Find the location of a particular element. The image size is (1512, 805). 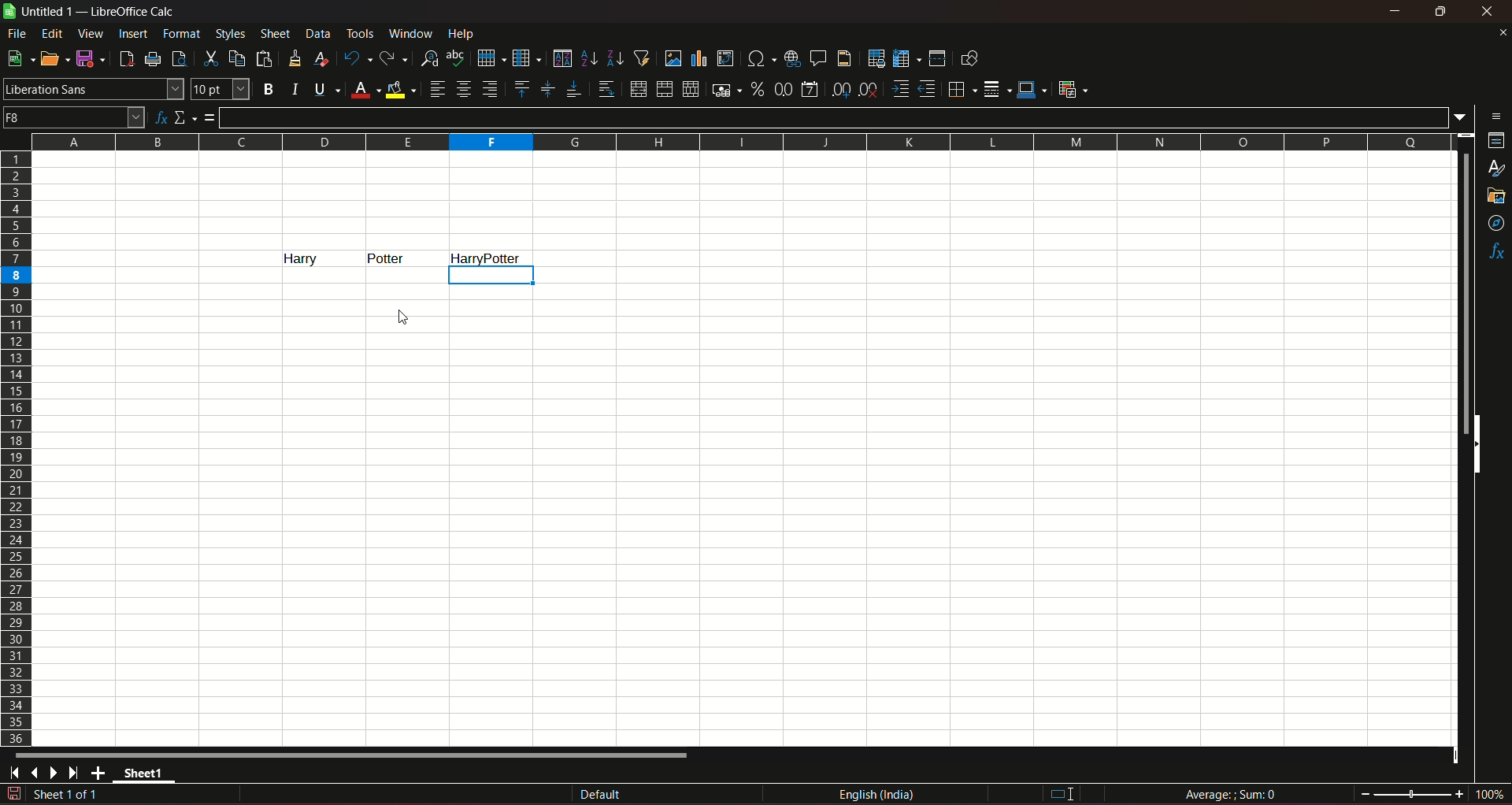

undo is located at coordinates (356, 57).